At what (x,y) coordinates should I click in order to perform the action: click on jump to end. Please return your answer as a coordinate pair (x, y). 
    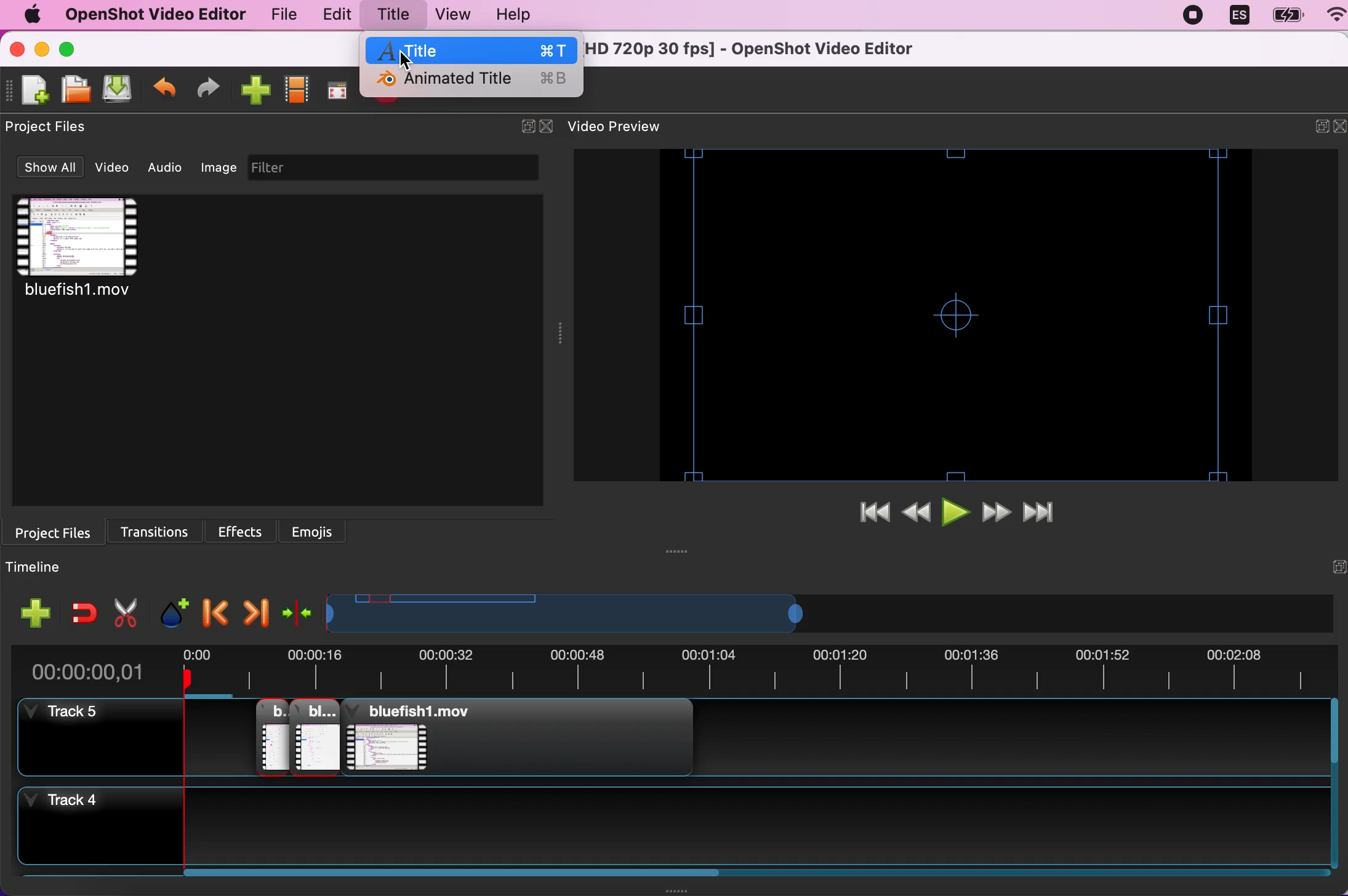
    Looking at the image, I should click on (1046, 514).